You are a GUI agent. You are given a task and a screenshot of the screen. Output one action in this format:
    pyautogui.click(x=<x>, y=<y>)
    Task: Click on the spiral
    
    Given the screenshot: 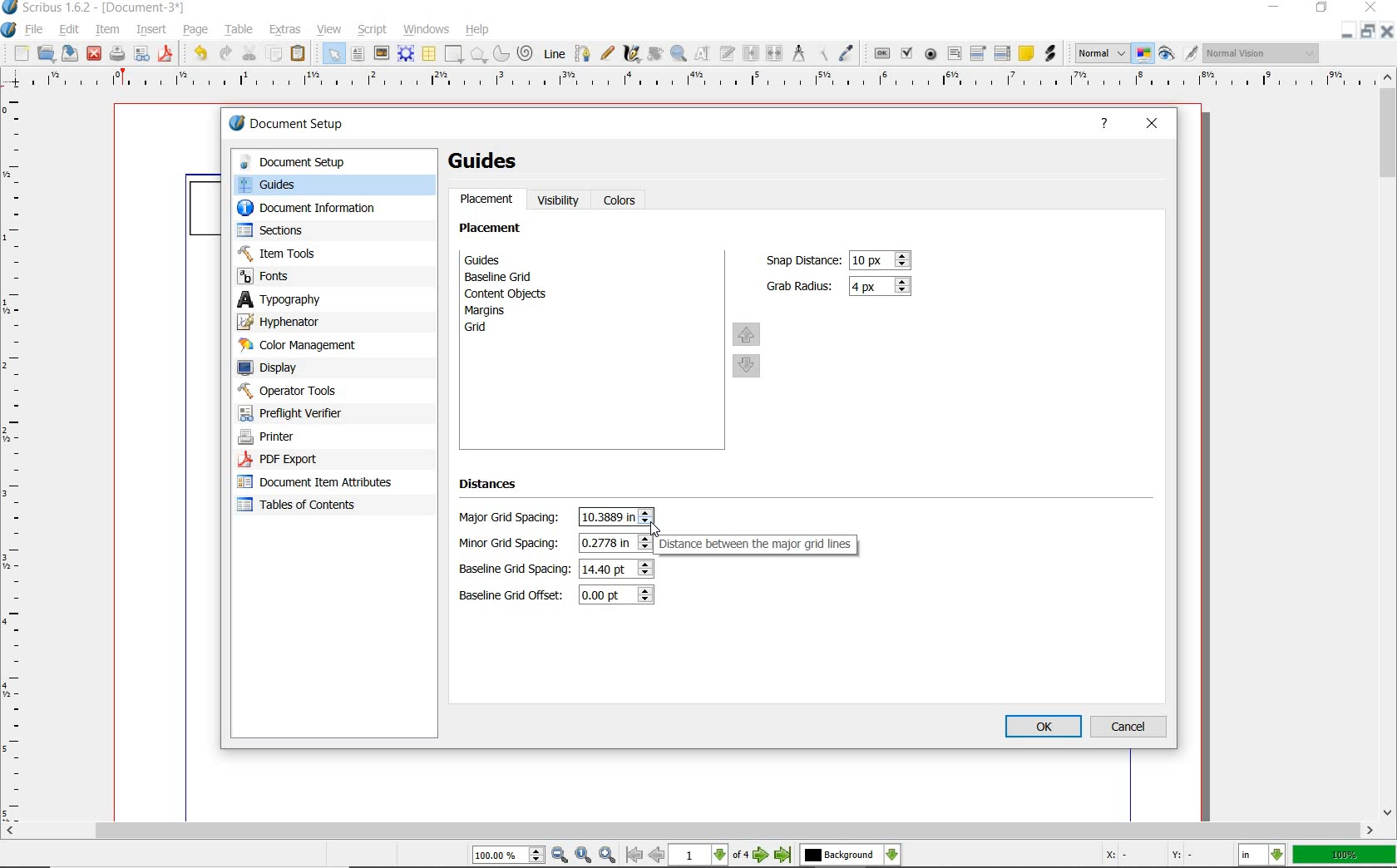 What is the action you would take?
    pyautogui.click(x=526, y=52)
    